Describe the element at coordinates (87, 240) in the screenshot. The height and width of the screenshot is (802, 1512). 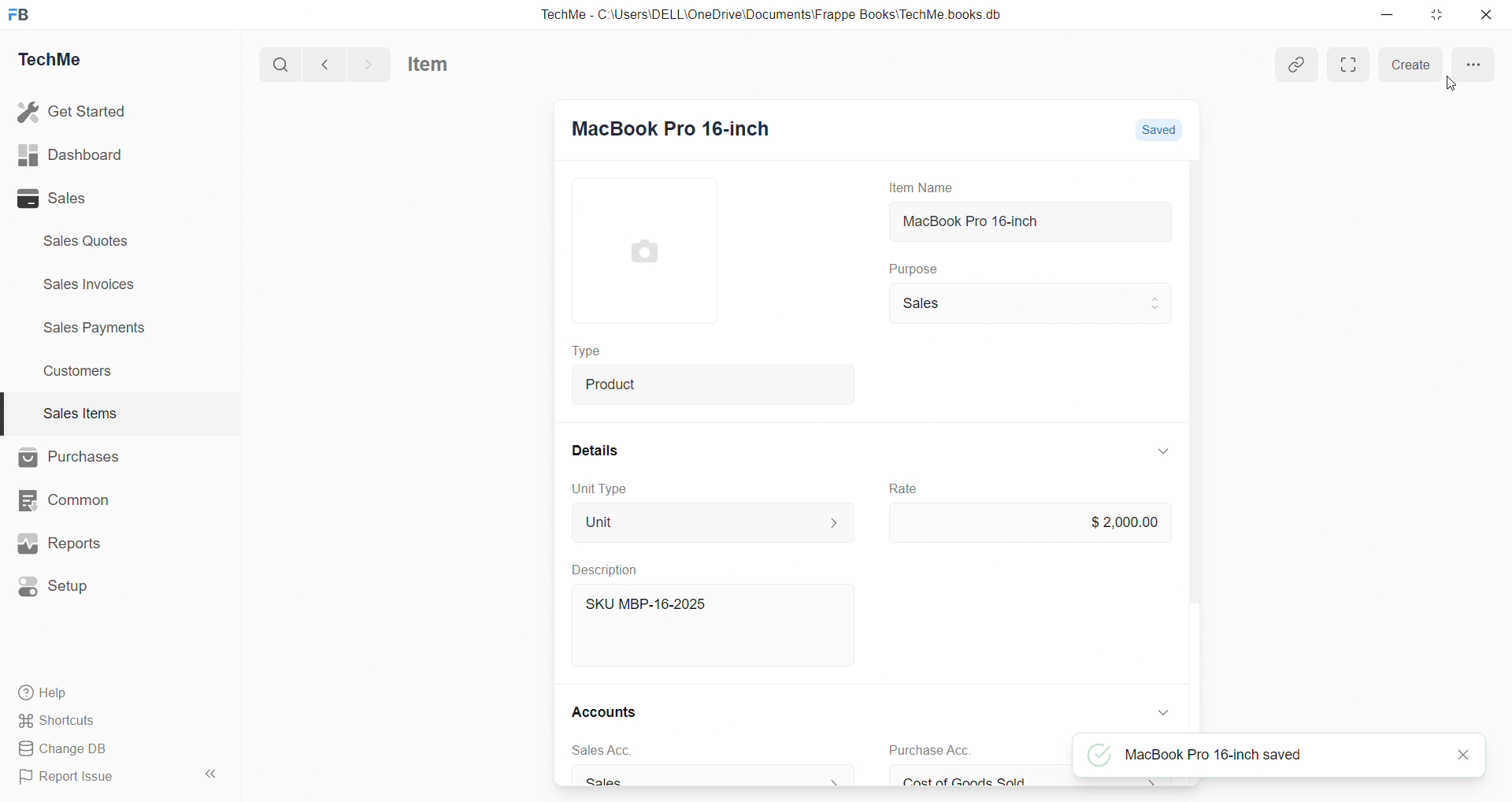
I see `Sales Quotes` at that location.